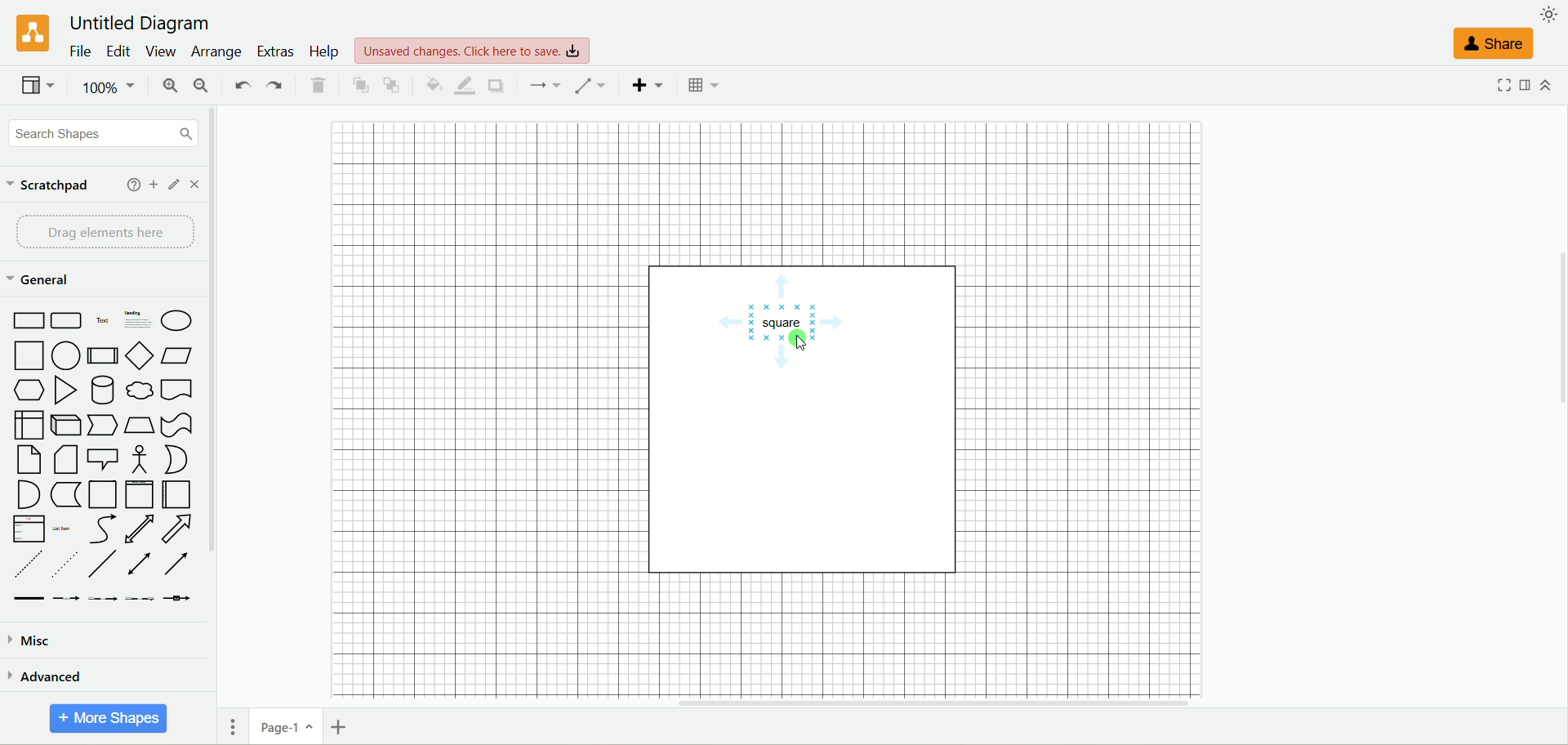 Image resolution: width=1568 pixels, height=745 pixels. I want to click on edit, so click(120, 51).